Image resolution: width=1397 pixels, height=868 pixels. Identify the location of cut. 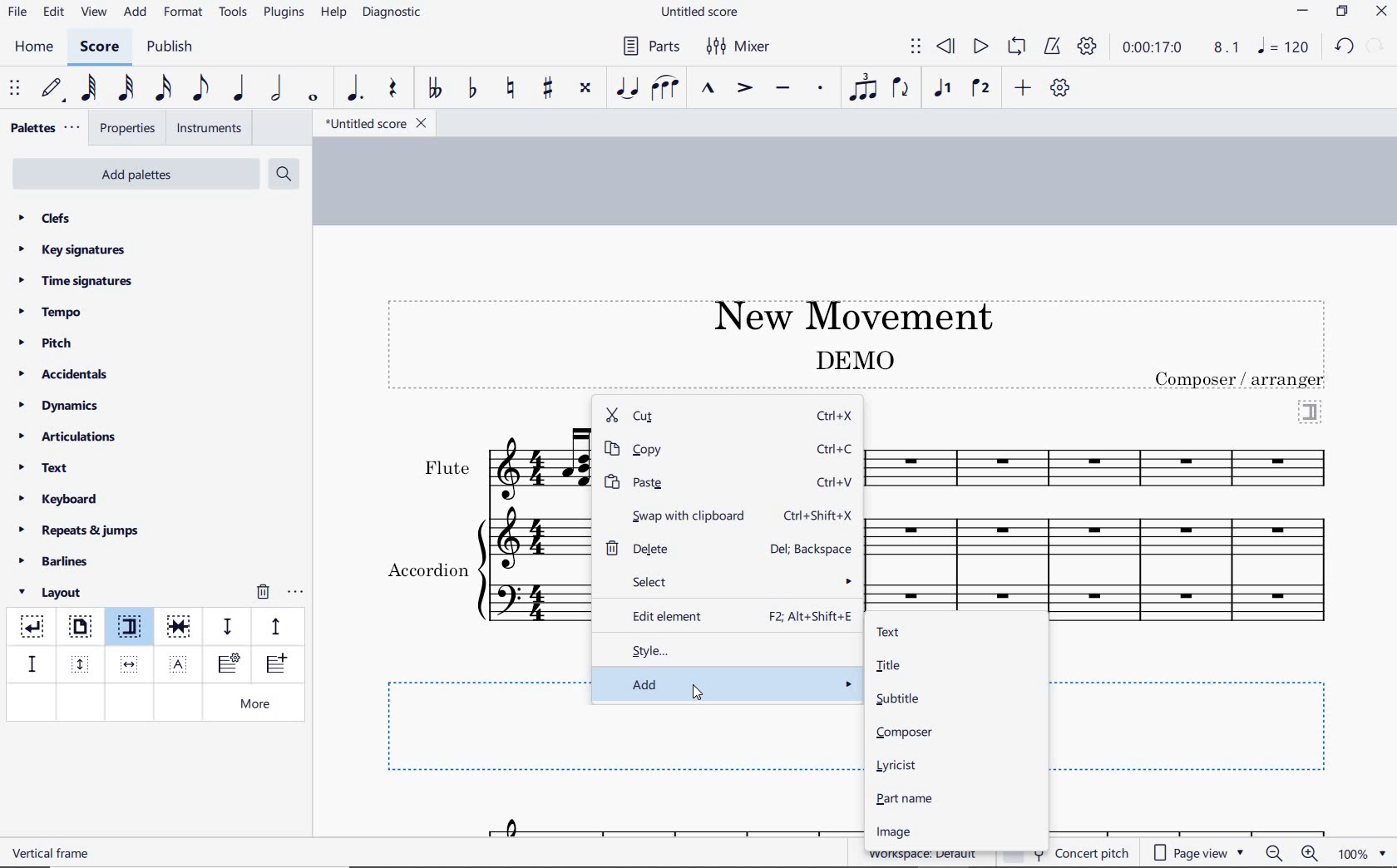
(689, 417).